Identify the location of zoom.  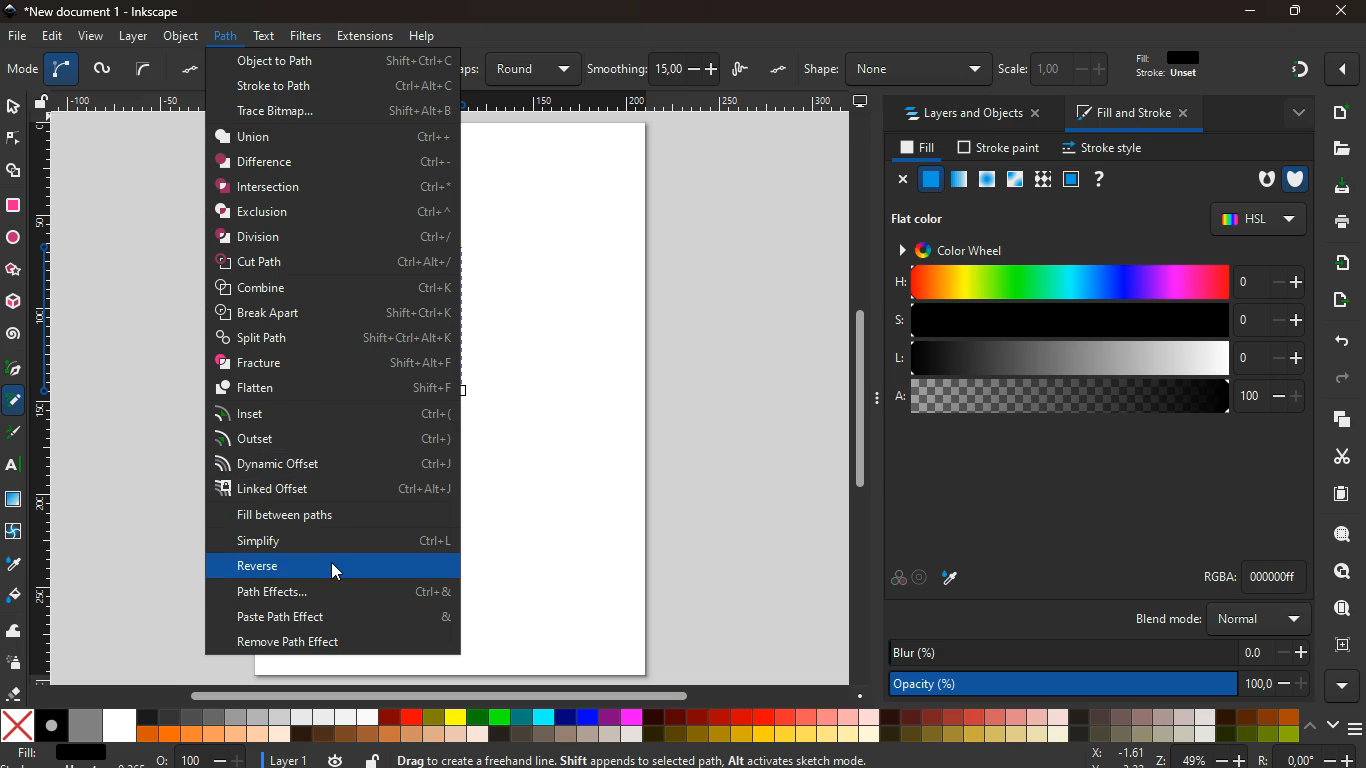
(1221, 757).